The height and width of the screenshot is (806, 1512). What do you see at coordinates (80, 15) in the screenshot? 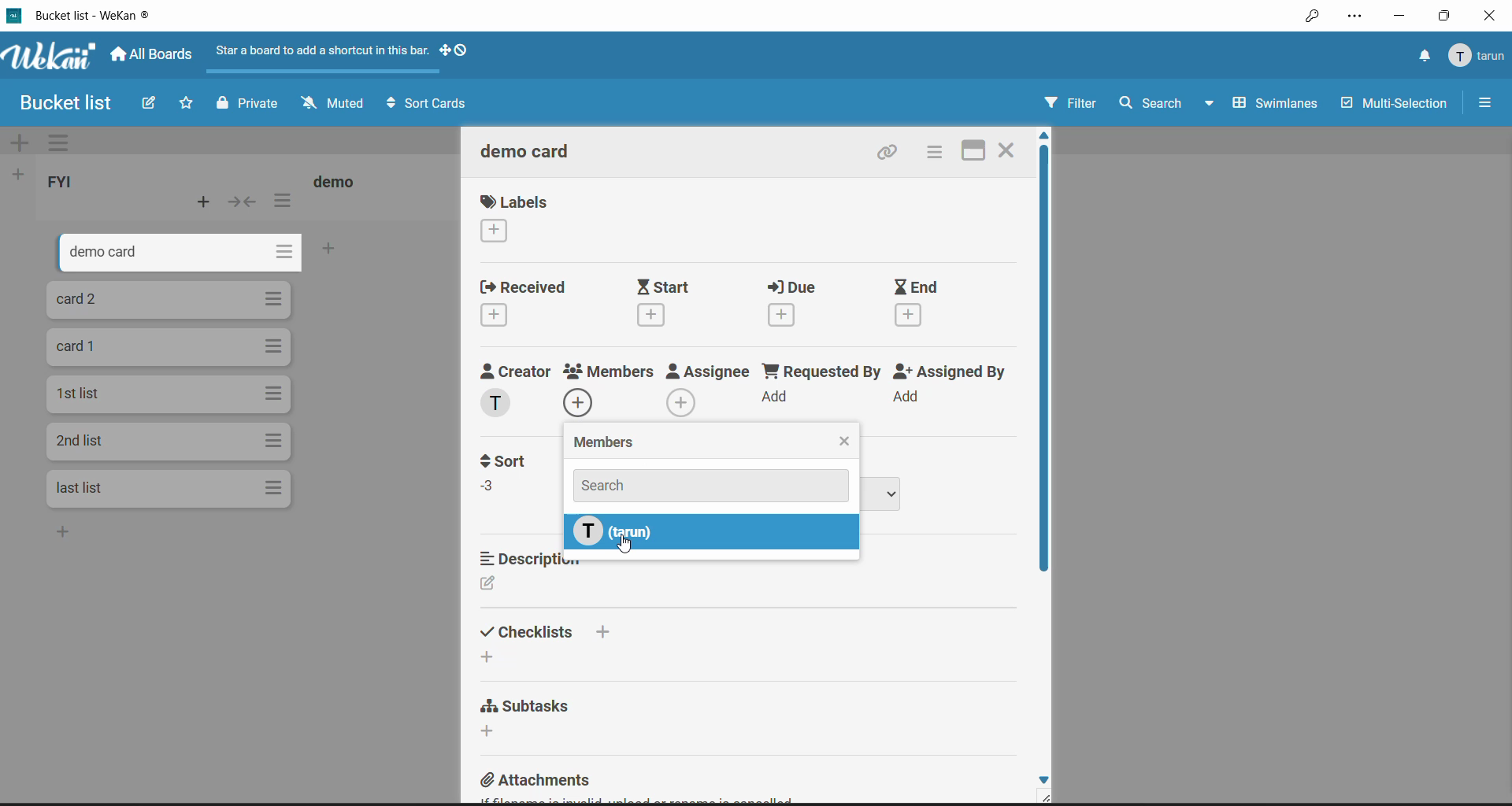
I see `file title` at bounding box center [80, 15].